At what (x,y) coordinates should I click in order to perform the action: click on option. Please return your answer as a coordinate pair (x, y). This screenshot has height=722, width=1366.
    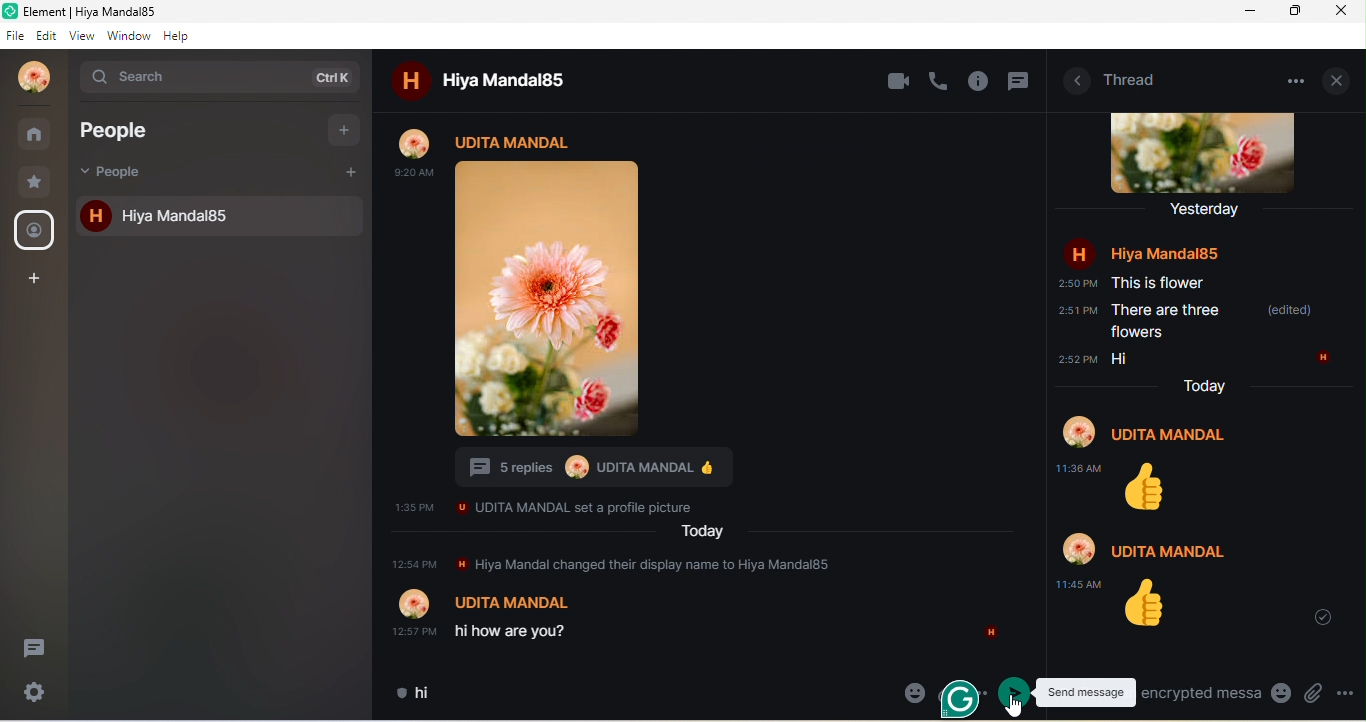
    Looking at the image, I should click on (1301, 78).